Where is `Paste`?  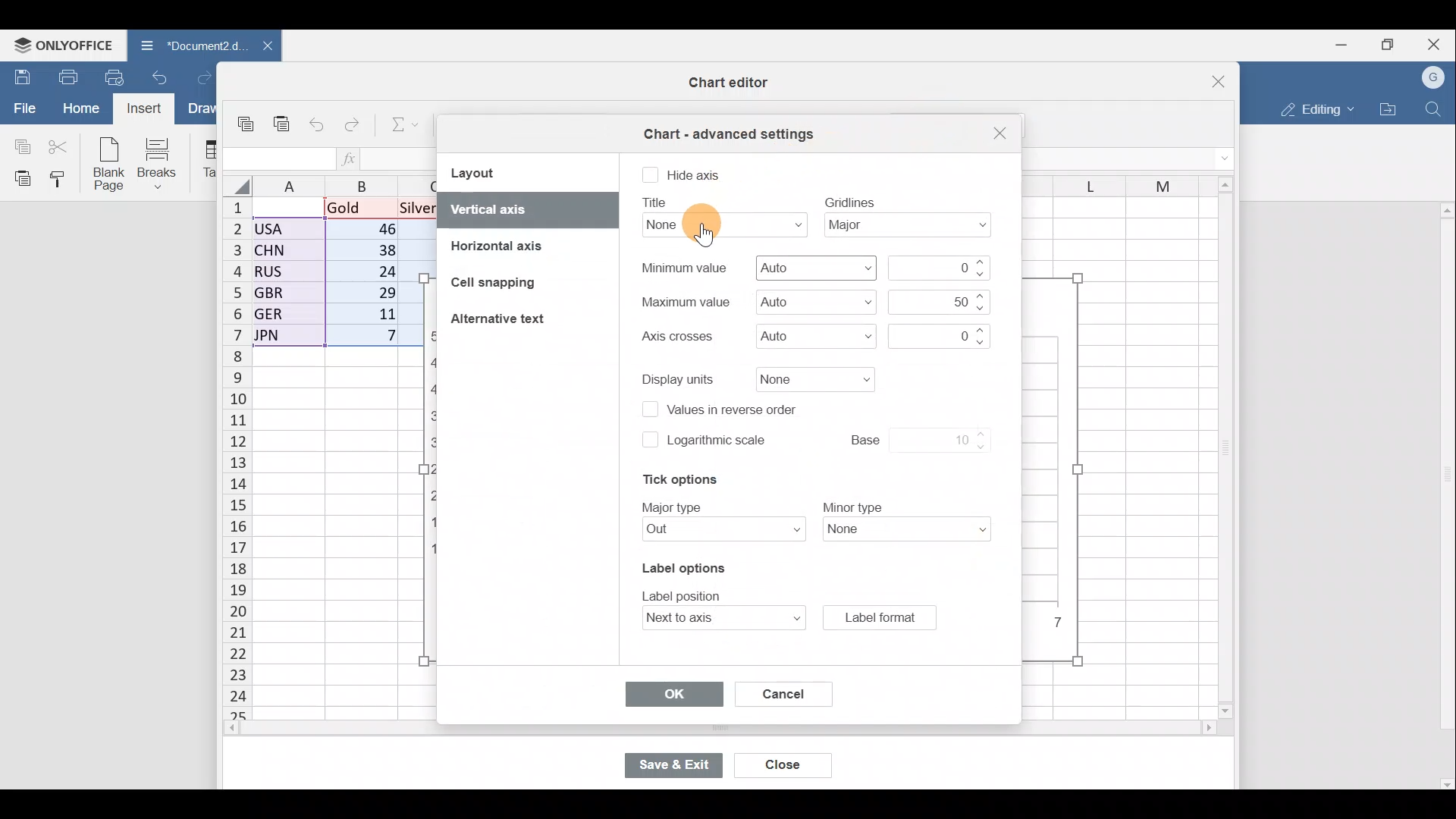 Paste is located at coordinates (19, 178).